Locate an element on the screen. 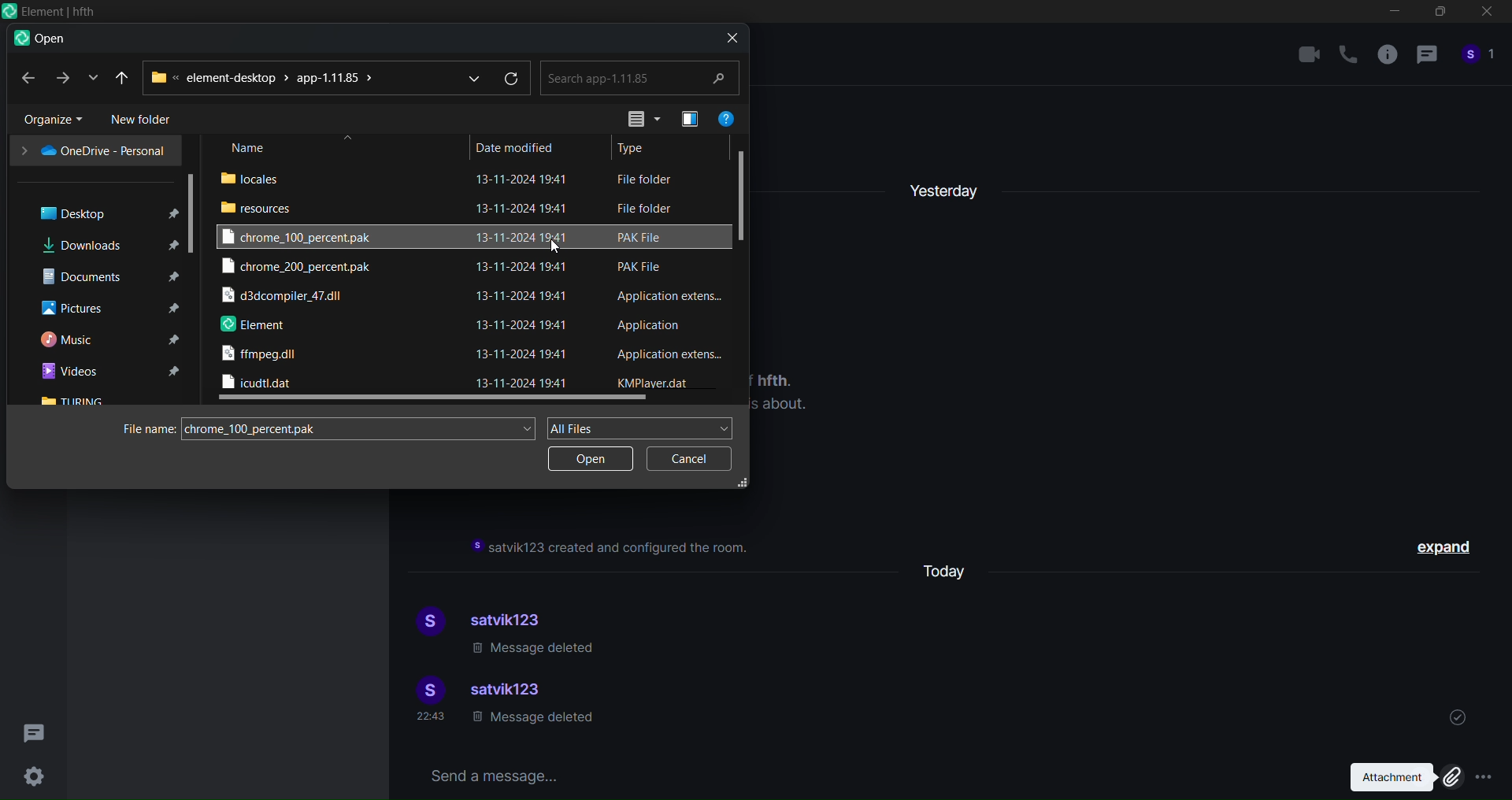  Settings is located at coordinates (36, 774).